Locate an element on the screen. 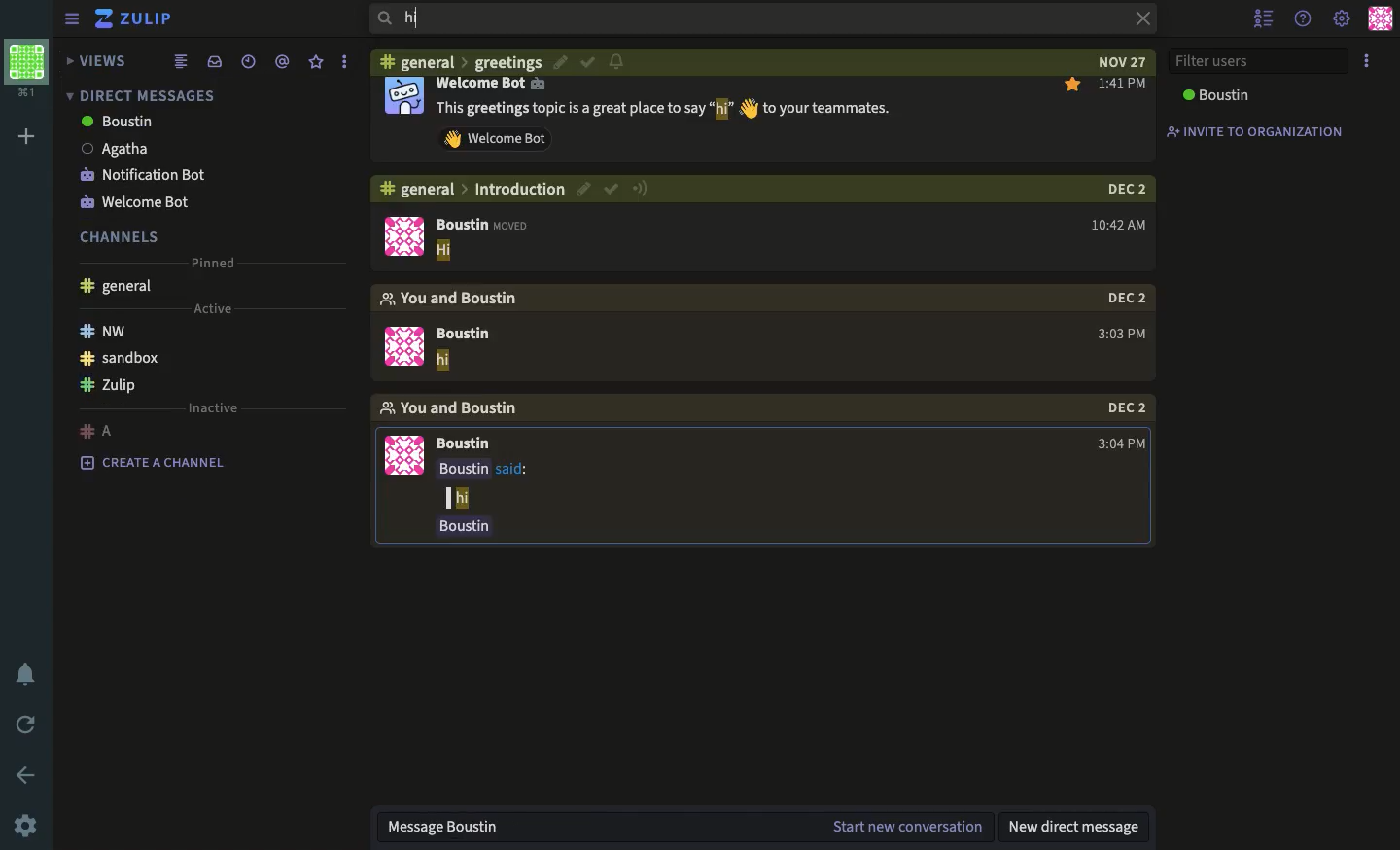 This screenshot has height=850, width=1400. star is located at coordinates (316, 60).